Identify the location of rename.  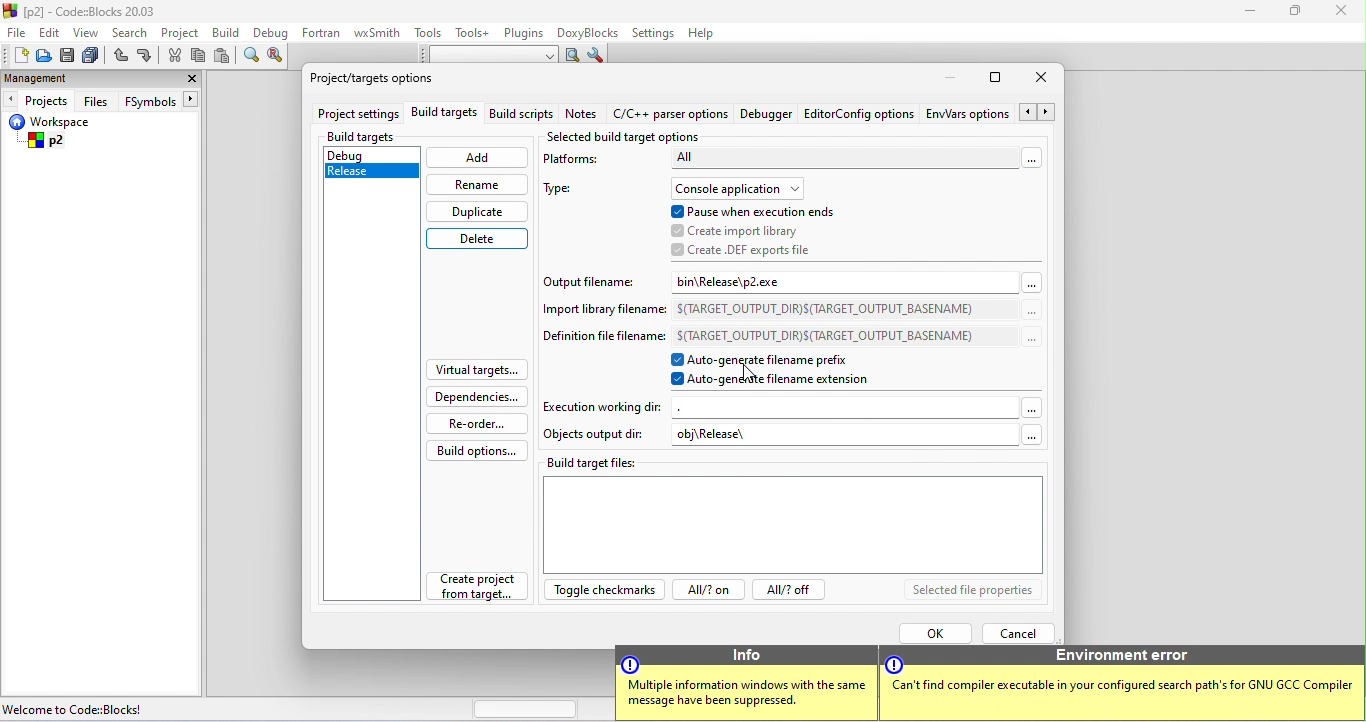
(476, 184).